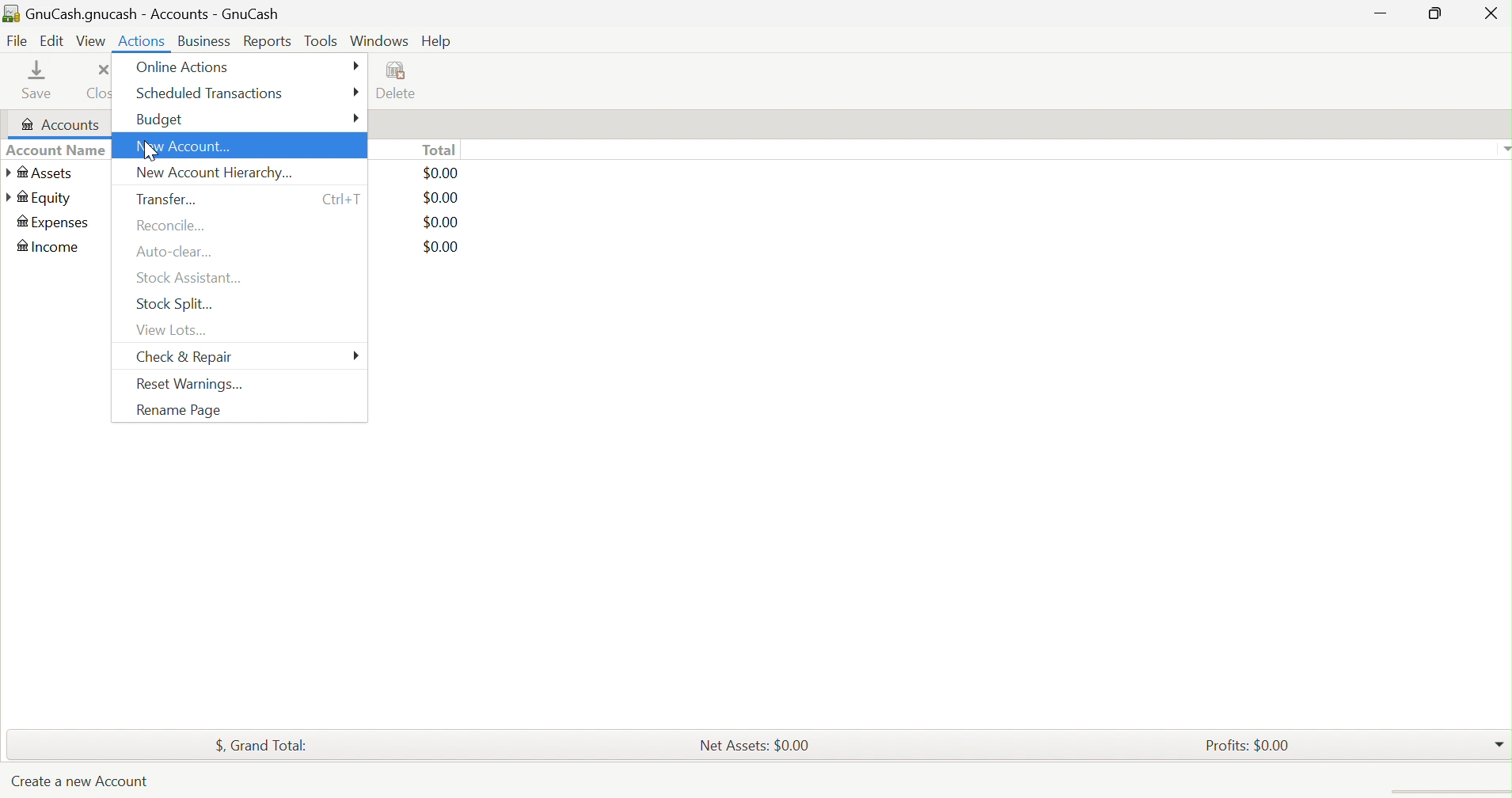 The height and width of the screenshot is (798, 1512). I want to click on Edit, so click(50, 40).